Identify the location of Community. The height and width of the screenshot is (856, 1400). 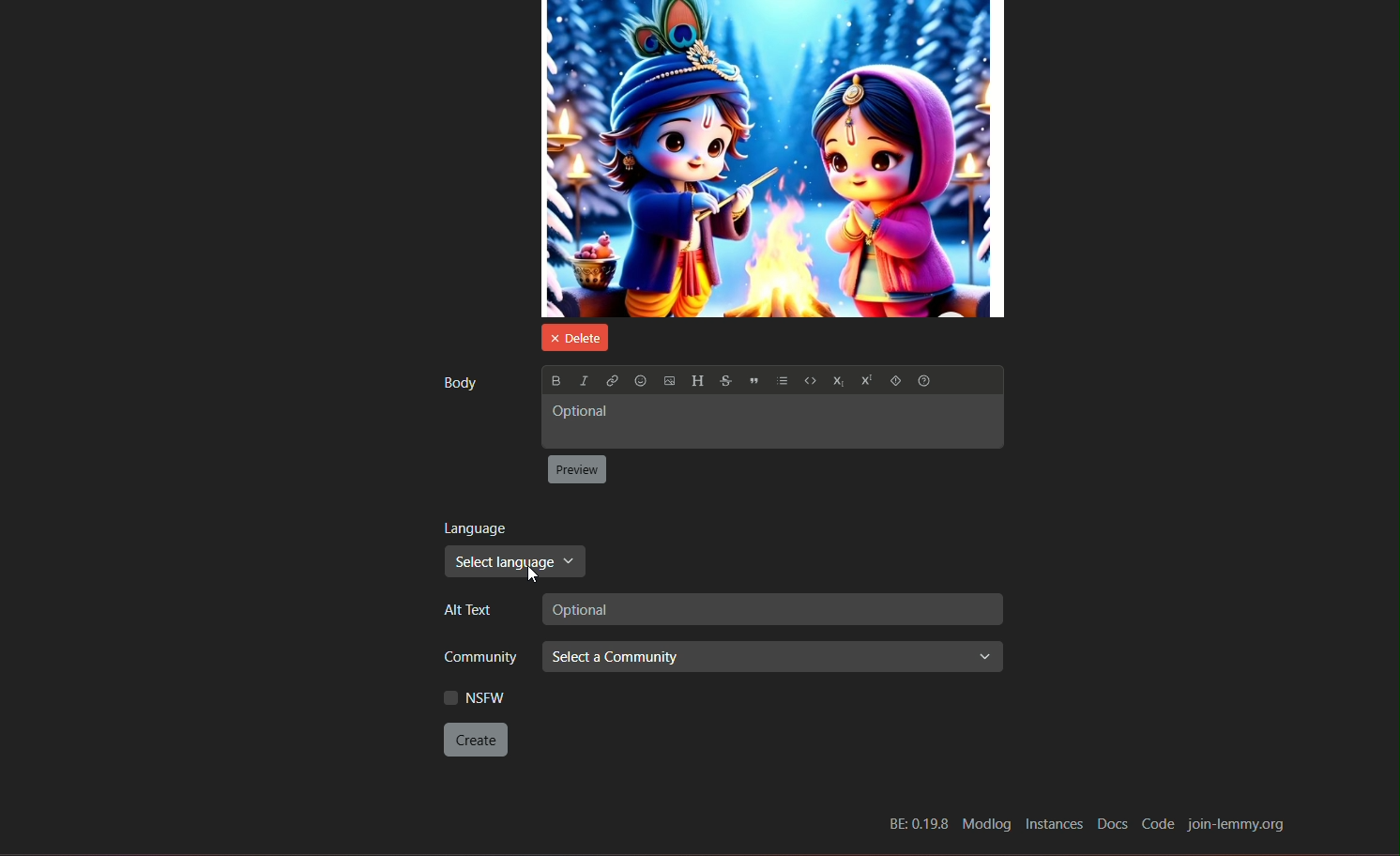
(474, 655).